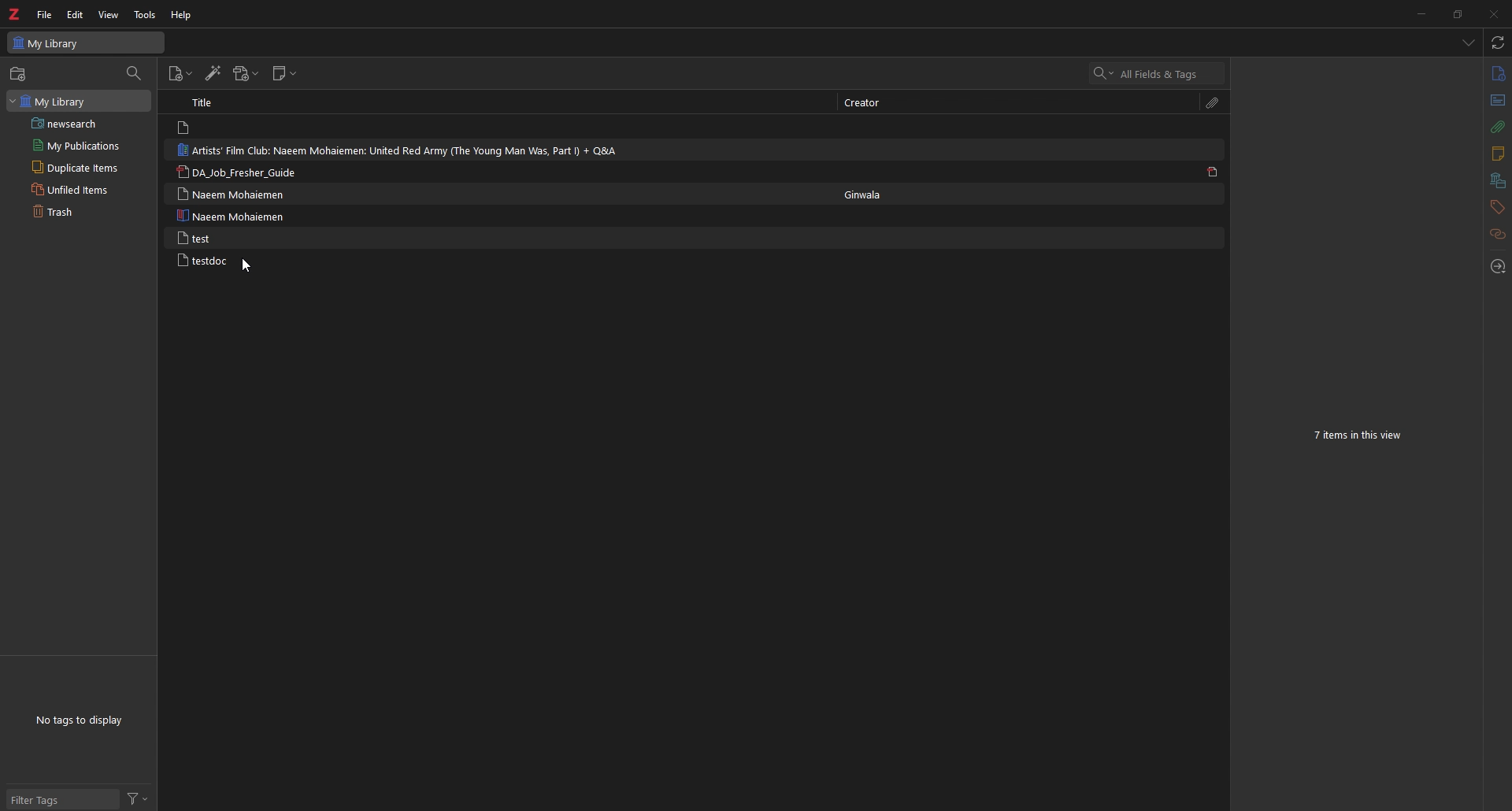 The image size is (1512, 811). What do you see at coordinates (135, 74) in the screenshot?
I see `filter item` at bounding box center [135, 74].